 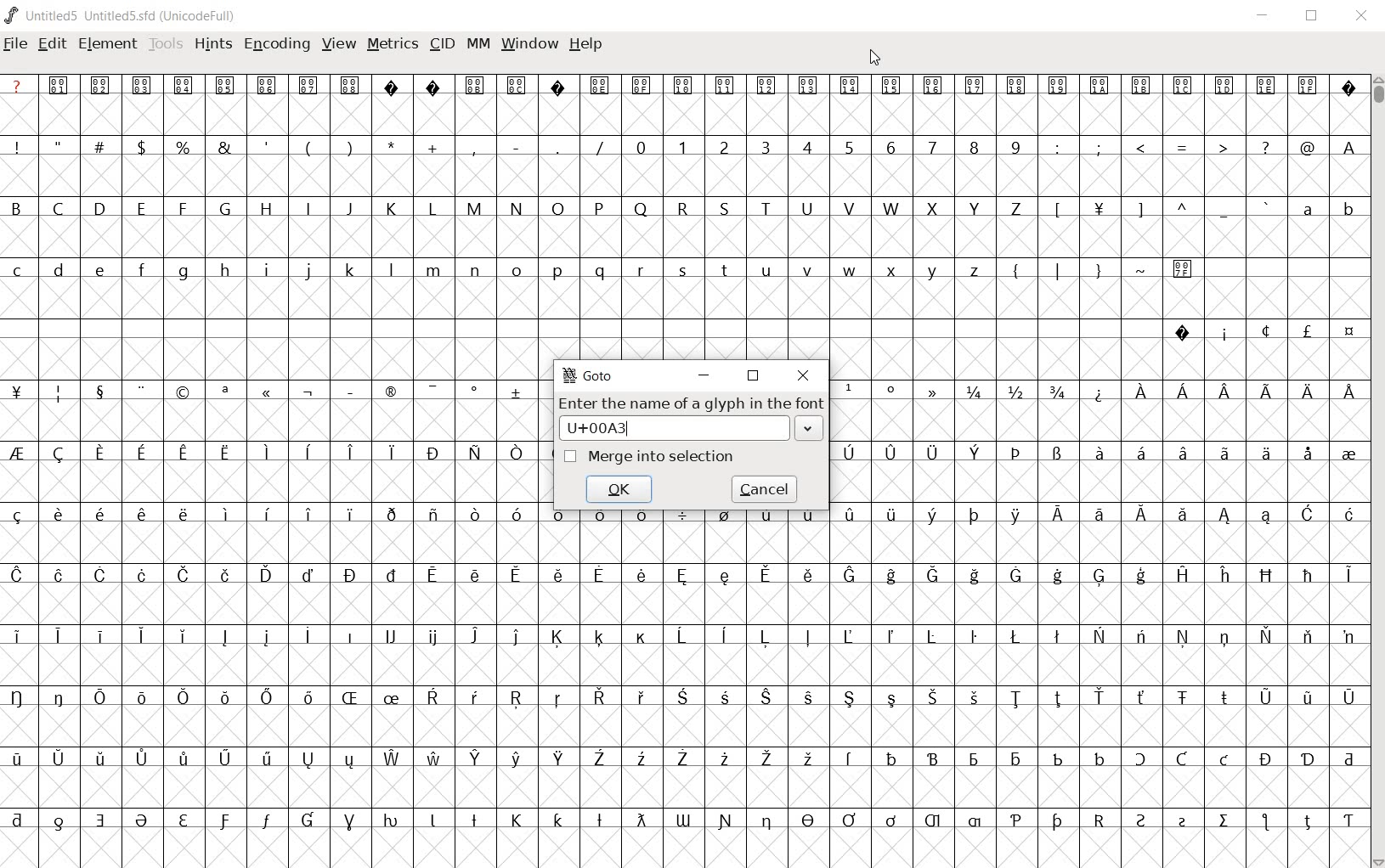 I want to click on j, so click(x=308, y=272).